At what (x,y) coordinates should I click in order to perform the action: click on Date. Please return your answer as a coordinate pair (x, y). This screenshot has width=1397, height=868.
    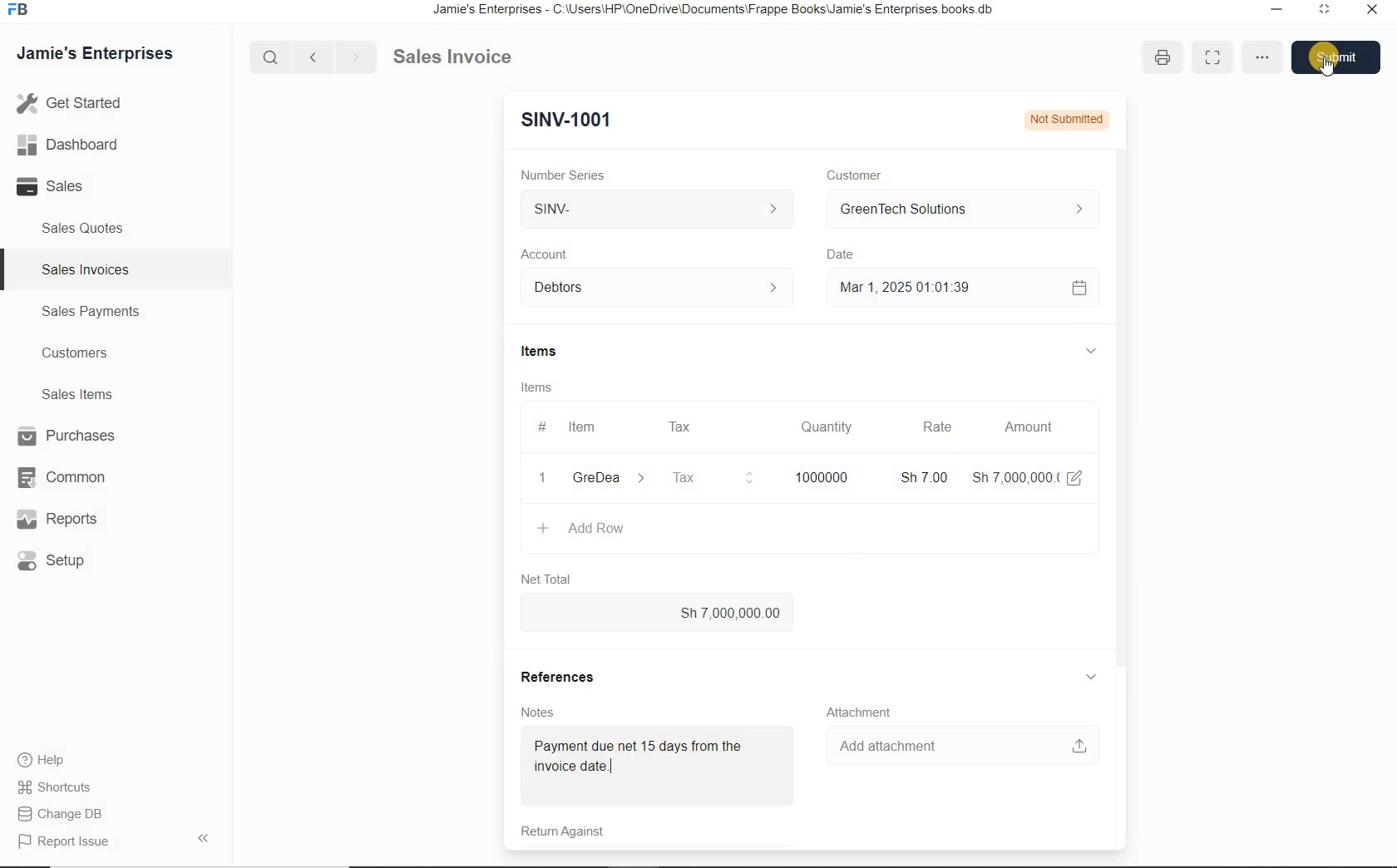
    Looking at the image, I should click on (842, 254).